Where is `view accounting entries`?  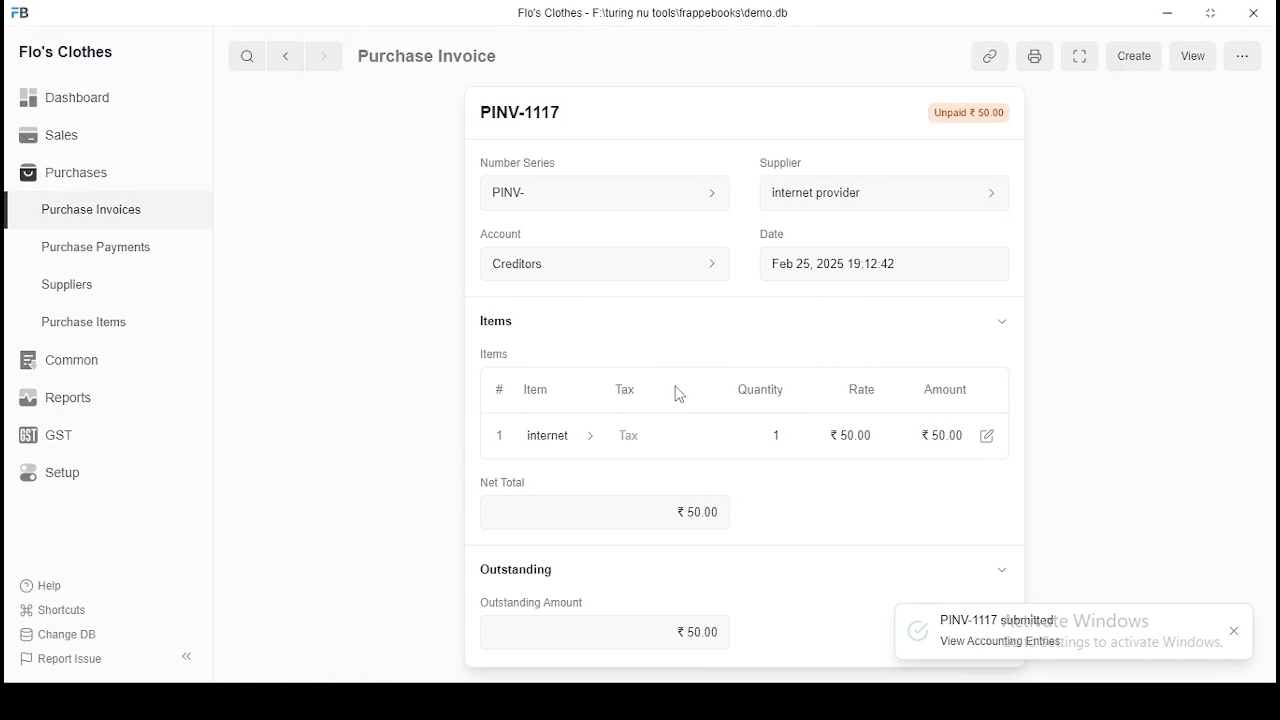
view accounting entries is located at coordinates (1000, 642).